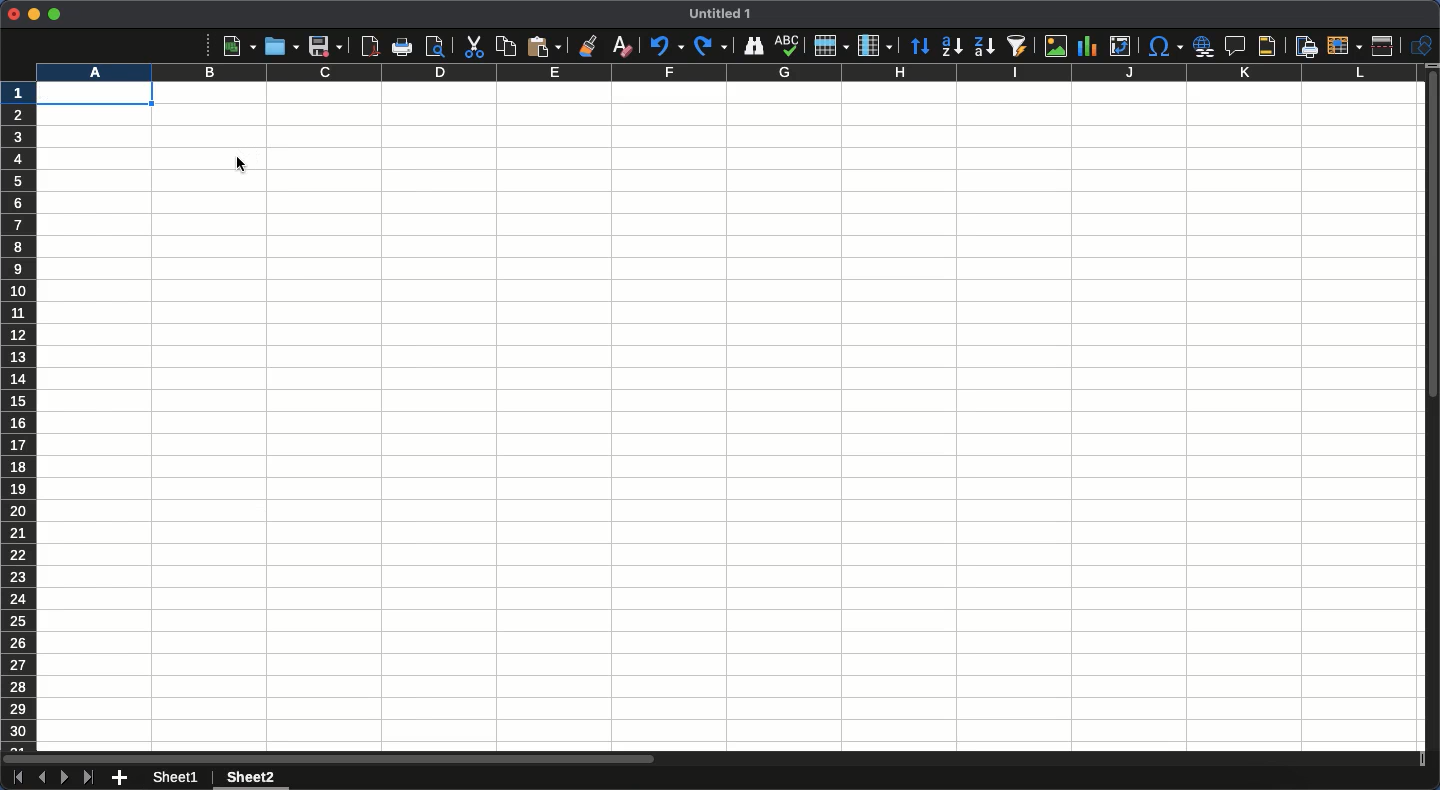 Image resolution: width=1440 pixels, height=790 pixels. Describe the element at coordinates (279, 45) in the screenshot. I see `Open` at that location.